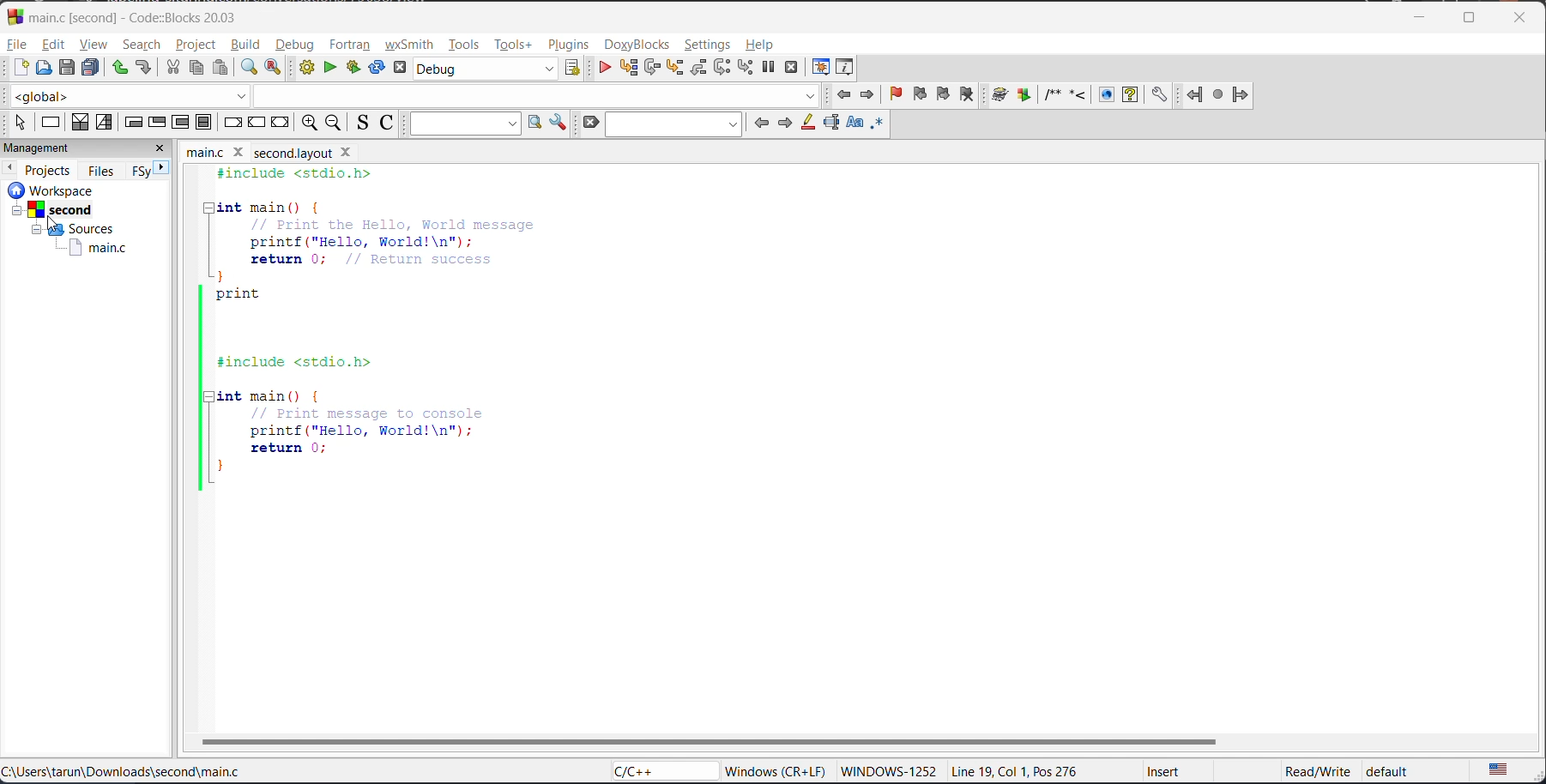 This screenshot has height=784, width=1546. I want to click on close, so click(161, 149).